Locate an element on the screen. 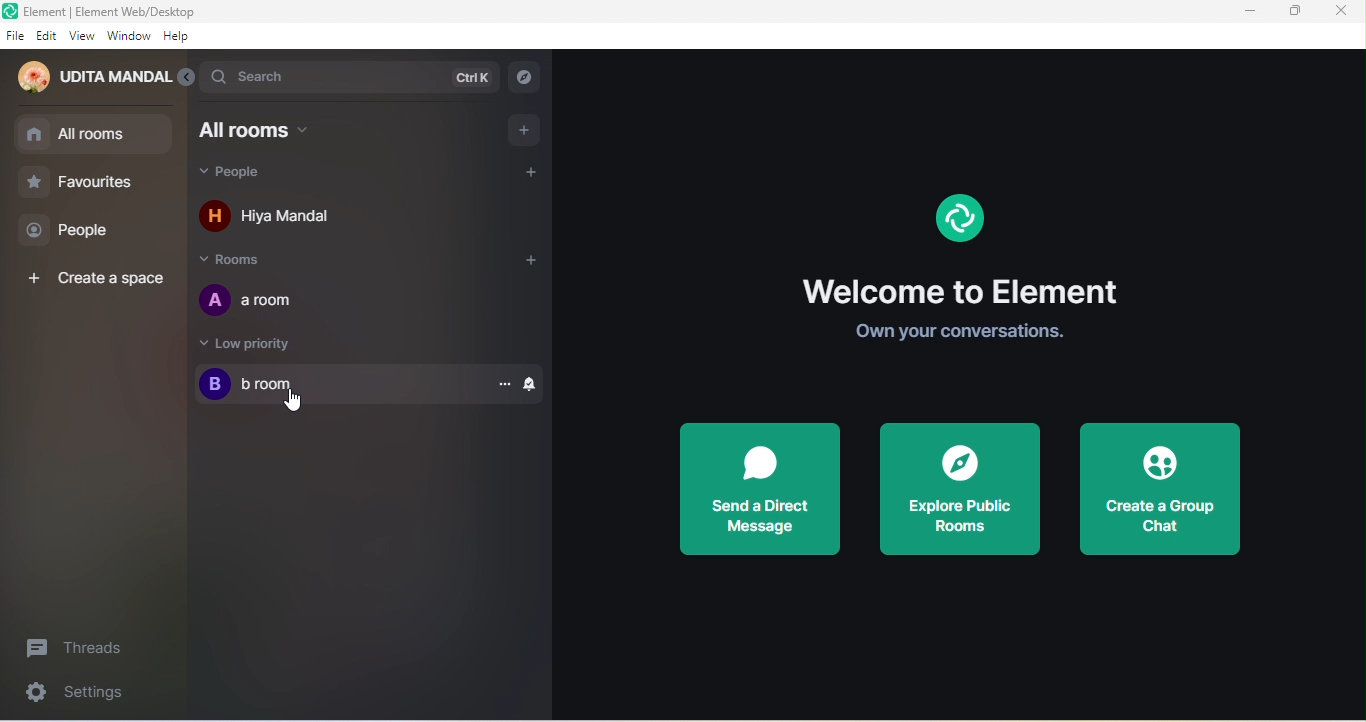  add people is located at coordinates (530, 172).